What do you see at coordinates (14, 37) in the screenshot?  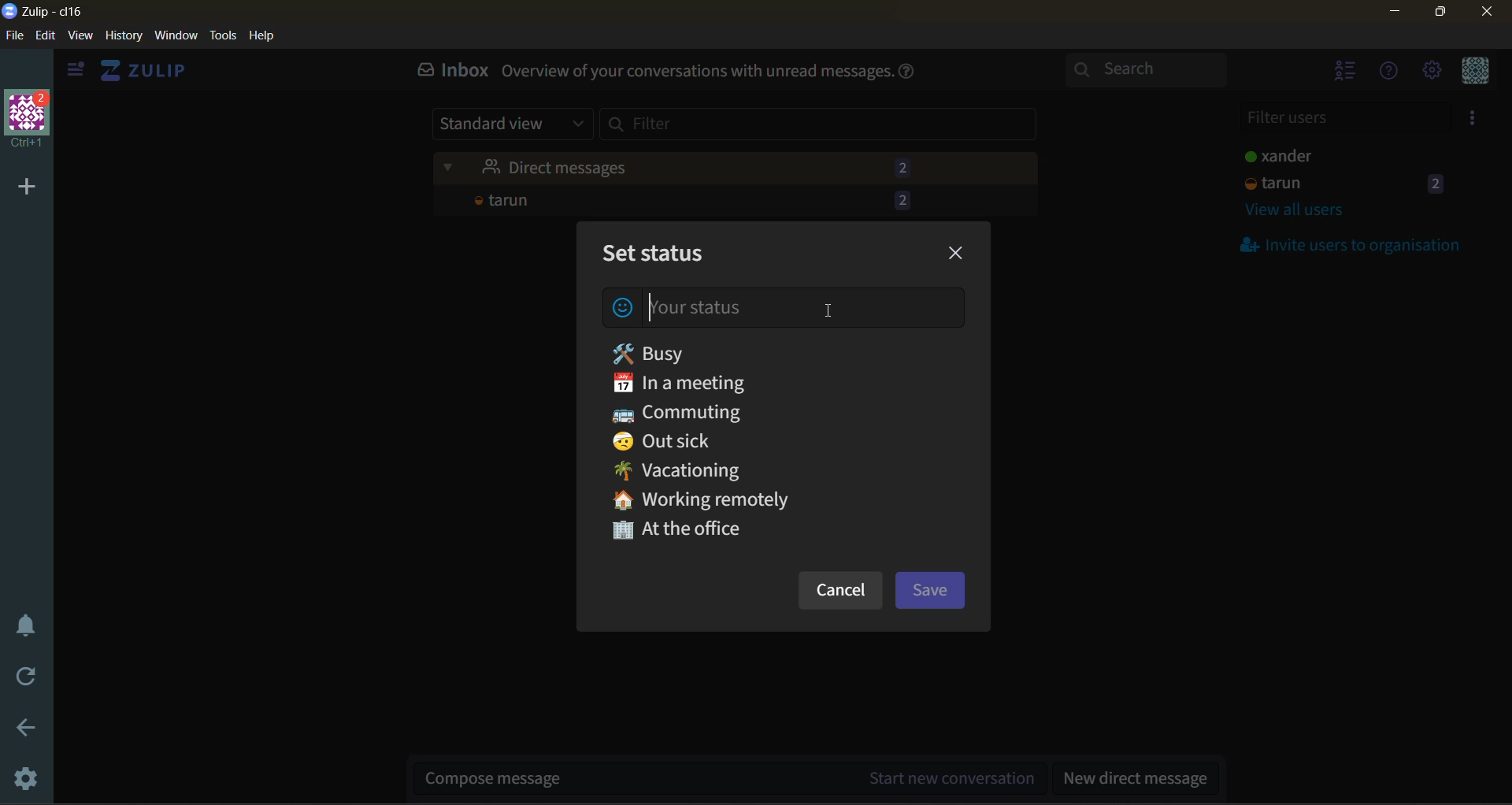 I see `file` at bounding box center [14, 37].